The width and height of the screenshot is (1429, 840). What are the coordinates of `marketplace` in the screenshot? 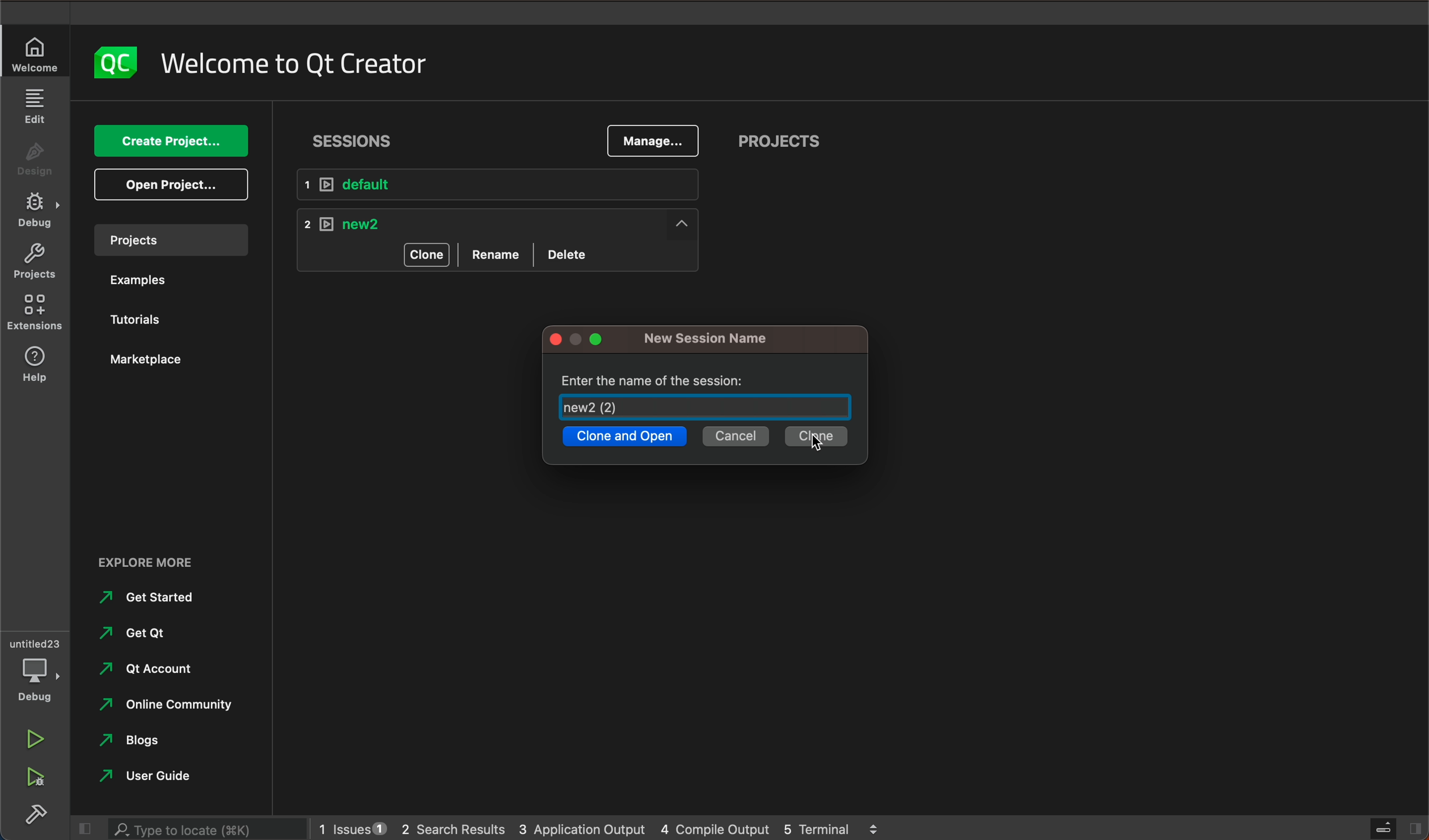 It's located at (144, 359).